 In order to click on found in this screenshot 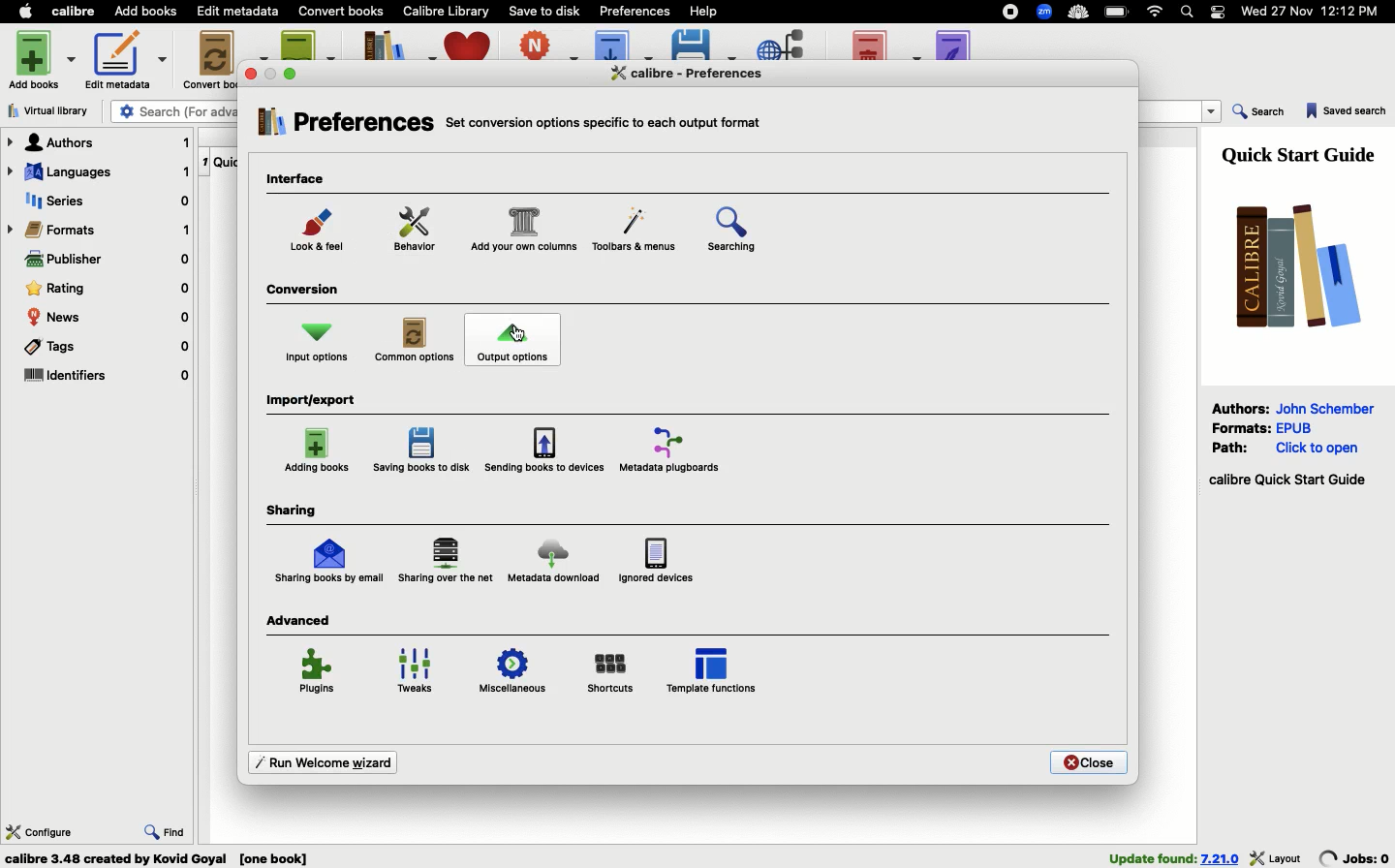, I will do `click(1152, 857)`.